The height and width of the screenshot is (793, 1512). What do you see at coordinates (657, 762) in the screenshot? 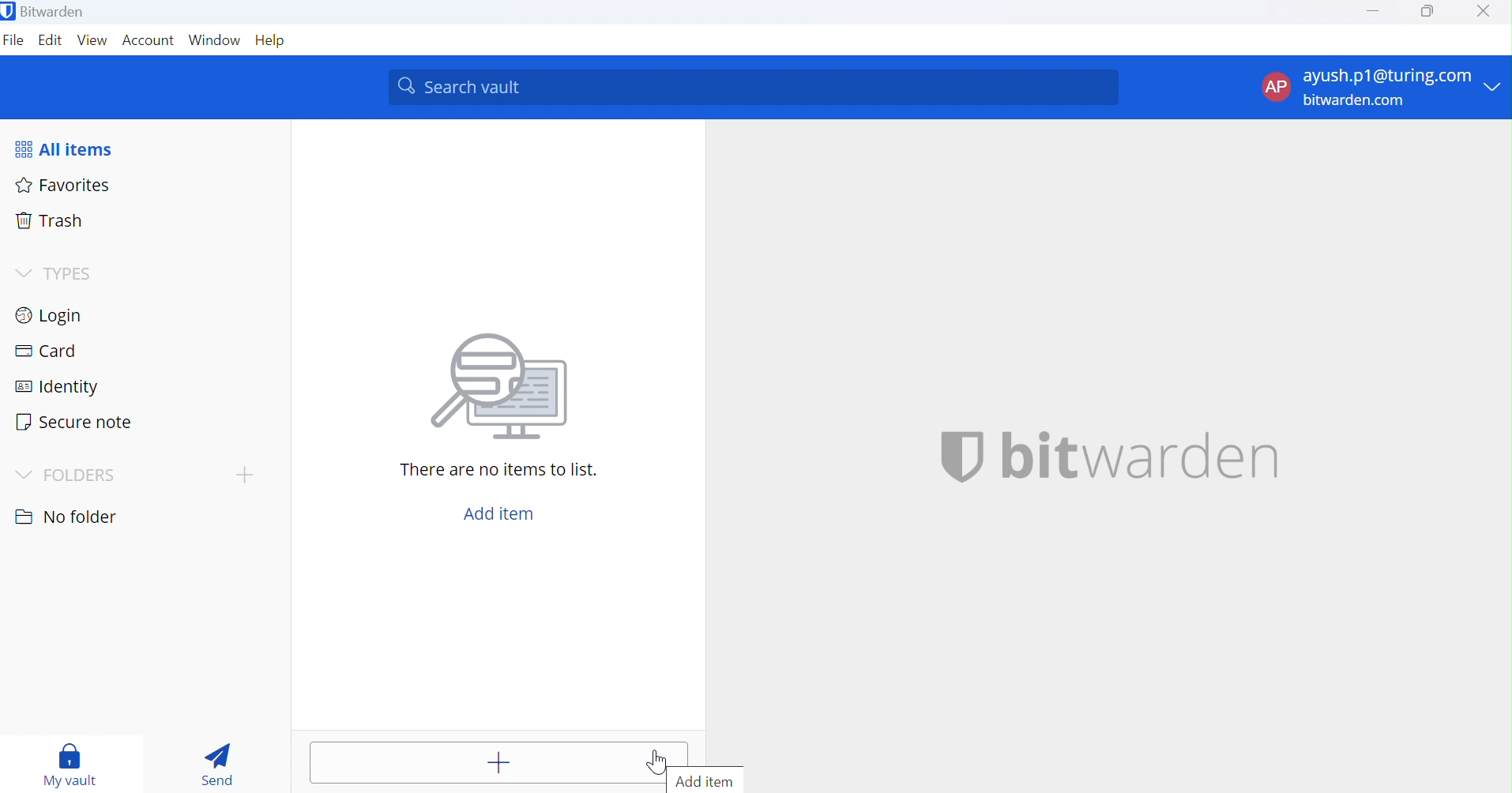
I see `cursor` at bounding box center [657, 762].